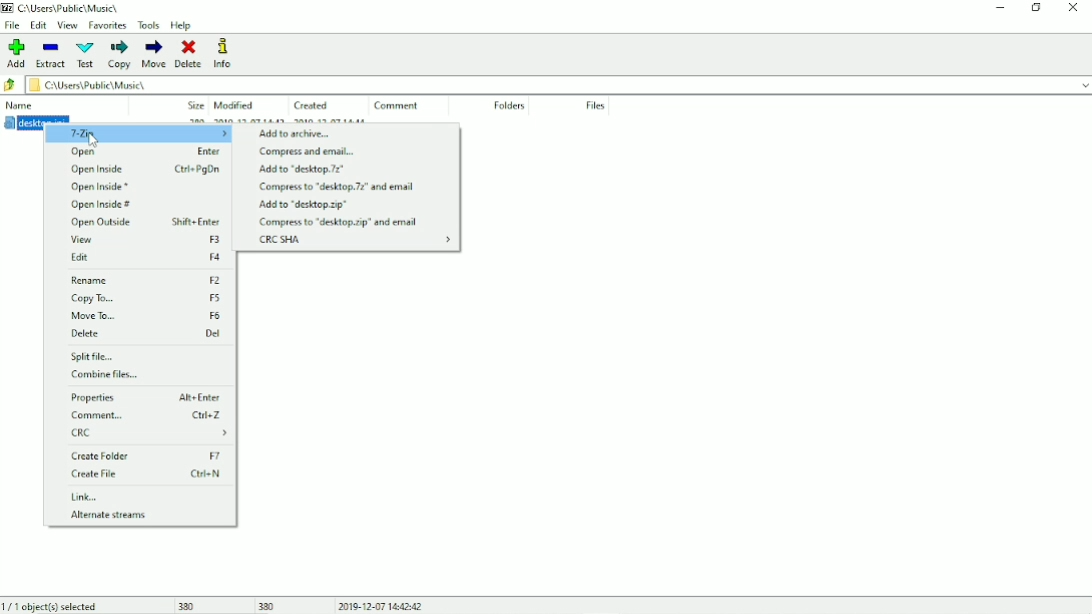 This screenshot has width=1092, height=614. I want to click on Create File, so click(148, 475).